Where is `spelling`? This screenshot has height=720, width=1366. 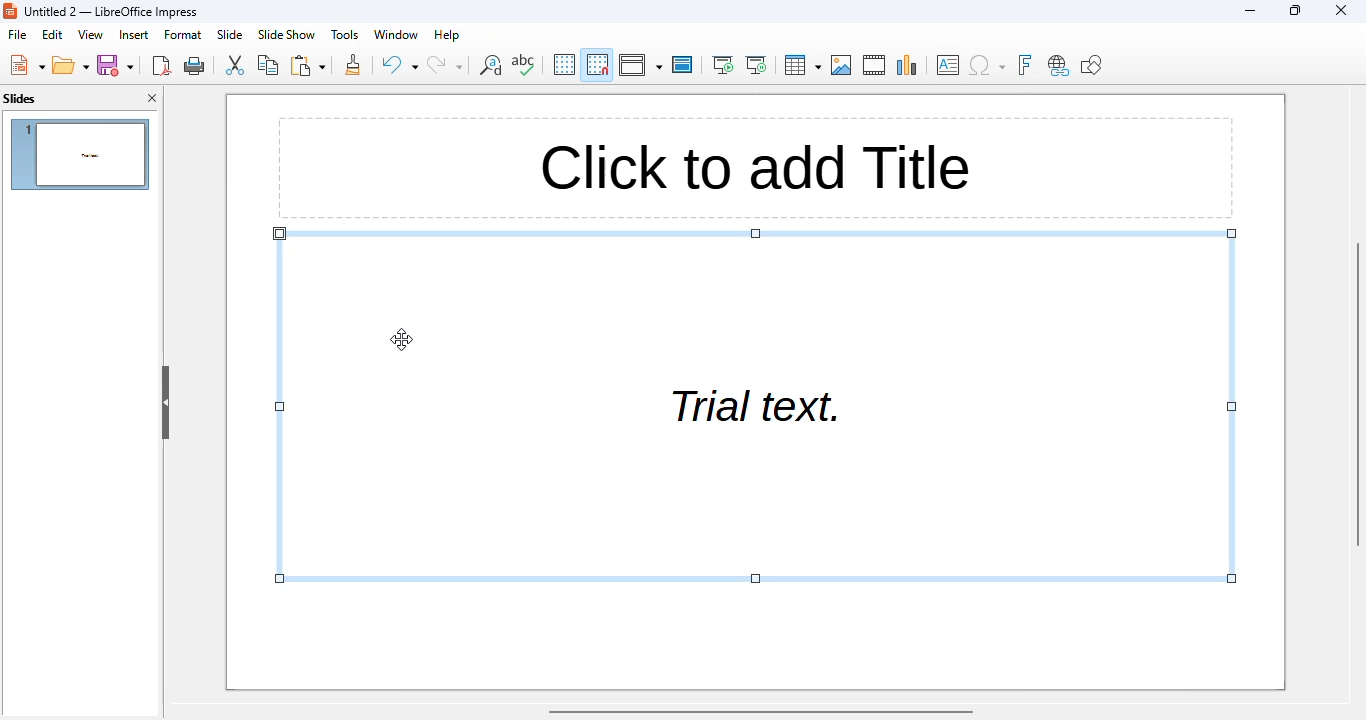 spelling is located at coordinates (523, 64).